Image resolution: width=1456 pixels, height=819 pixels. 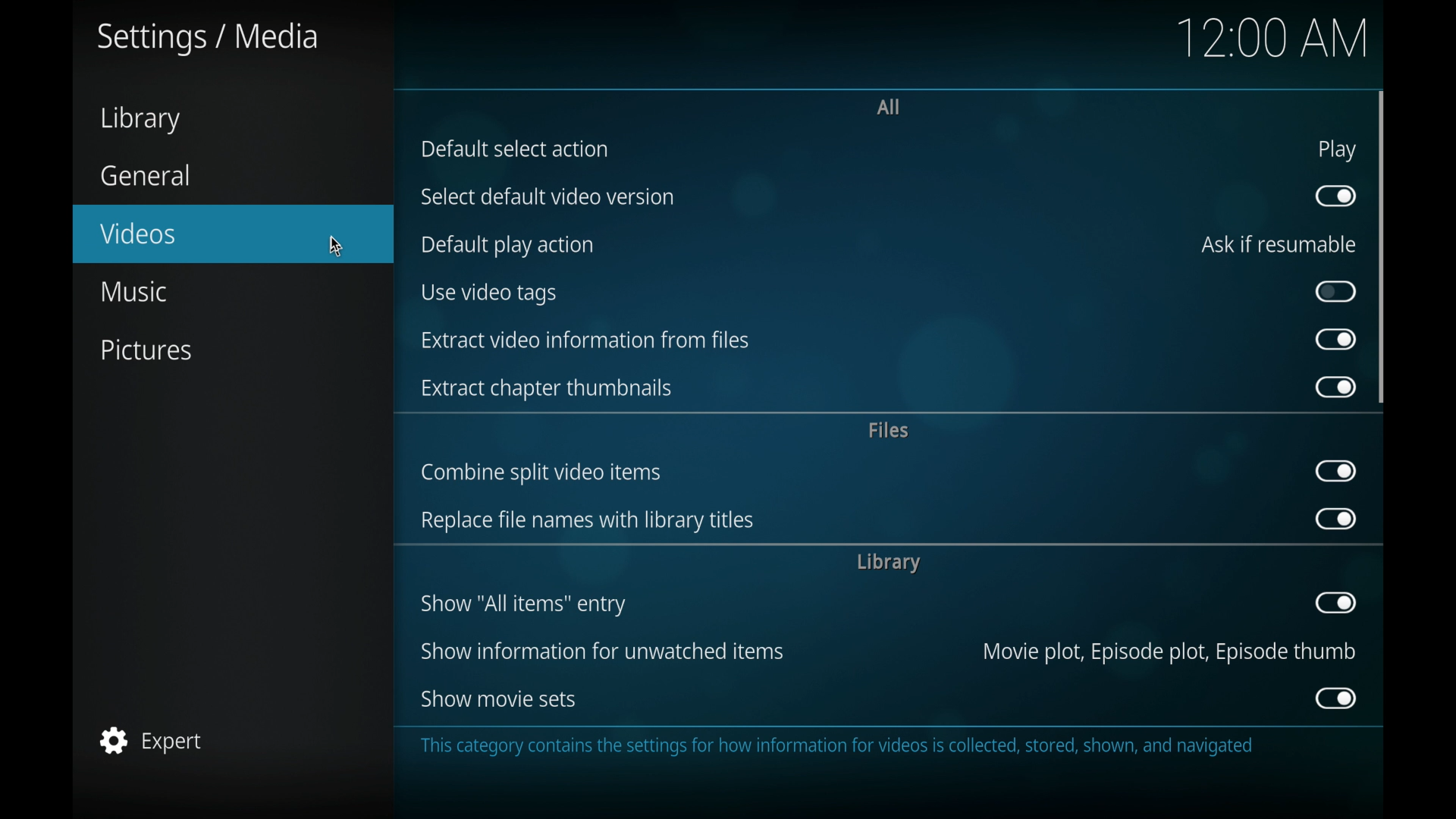 What do you see at coordinates (1335, 387) in the screenshot?
I see `toggle button` at bounding box center [1335, 387].